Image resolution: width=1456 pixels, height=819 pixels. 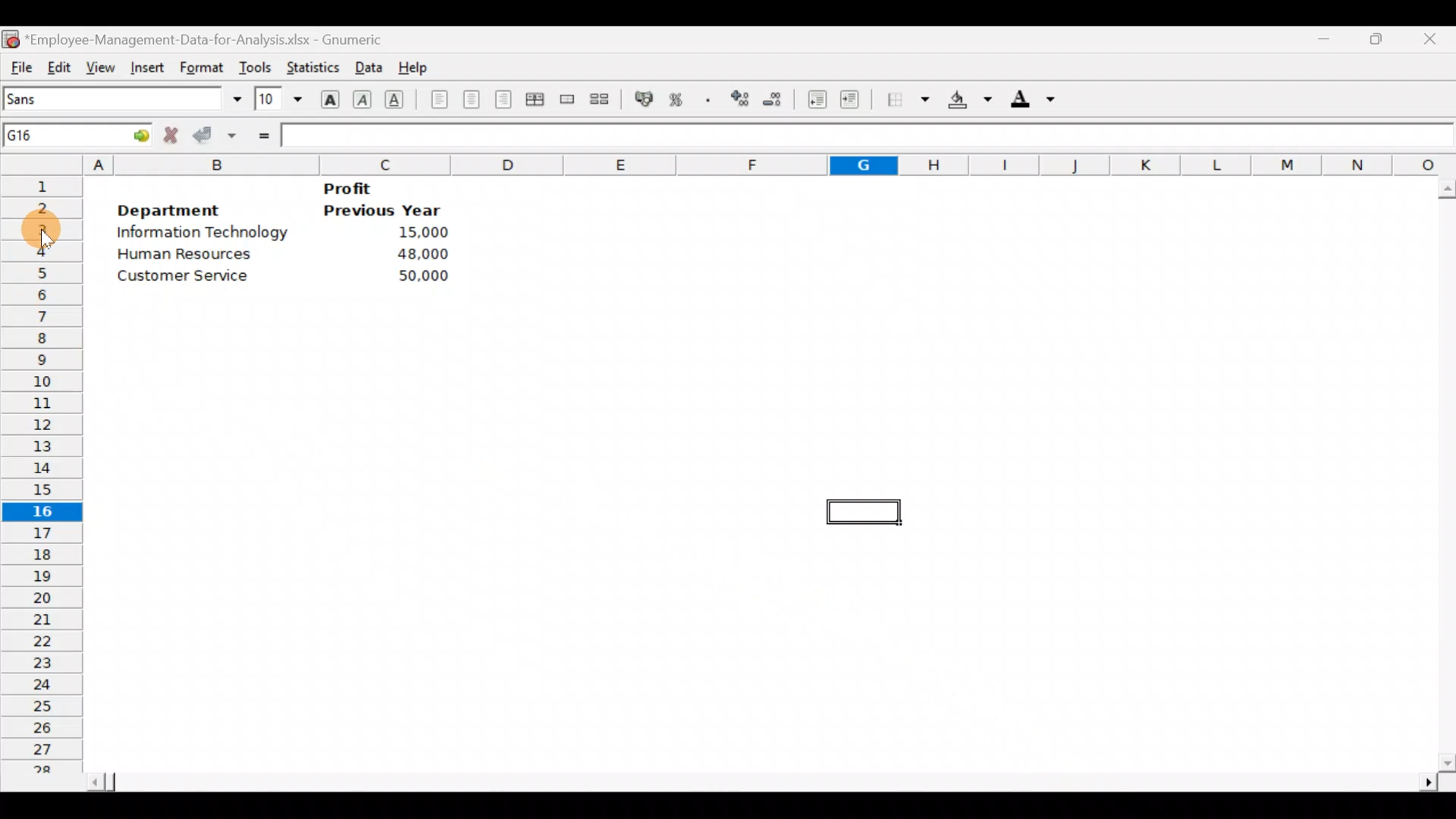 I want to click on Minimize, so click(x=1315, y=39).